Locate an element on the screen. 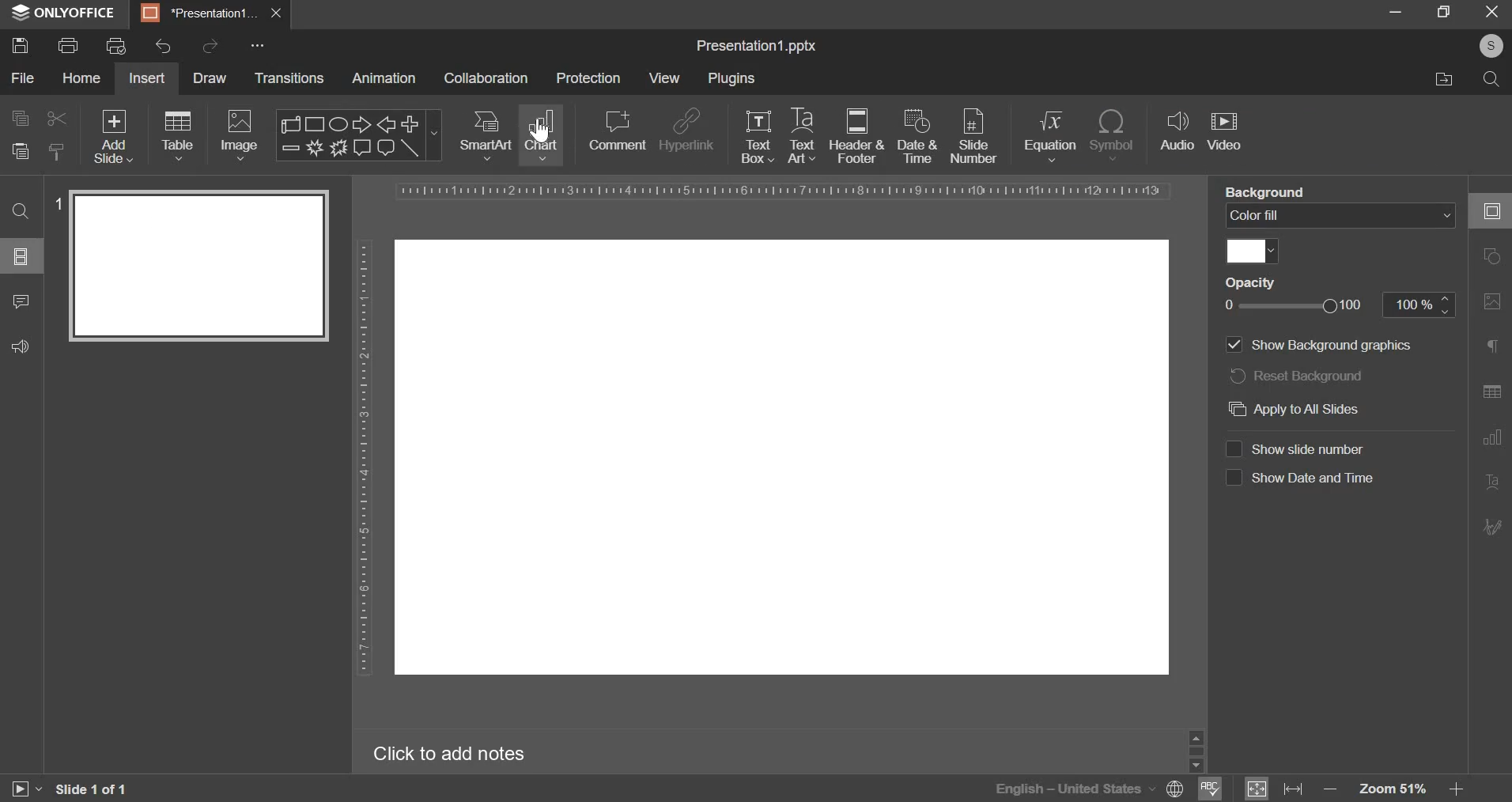 This screenshot has height=802, width=1512. audio is located at coordinates (1177, 133).